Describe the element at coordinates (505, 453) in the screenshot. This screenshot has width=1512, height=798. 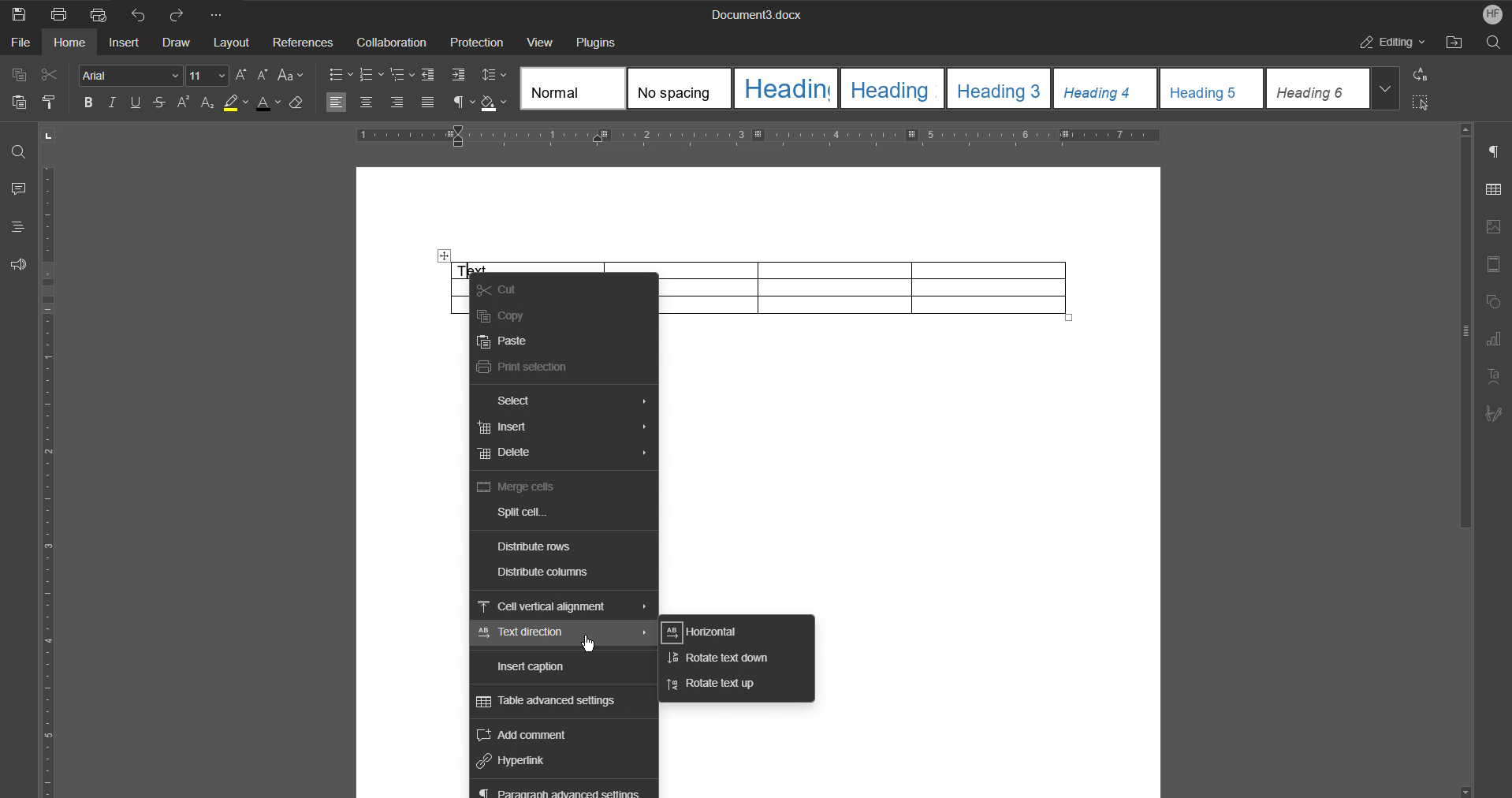
I see `Delete` at that location.